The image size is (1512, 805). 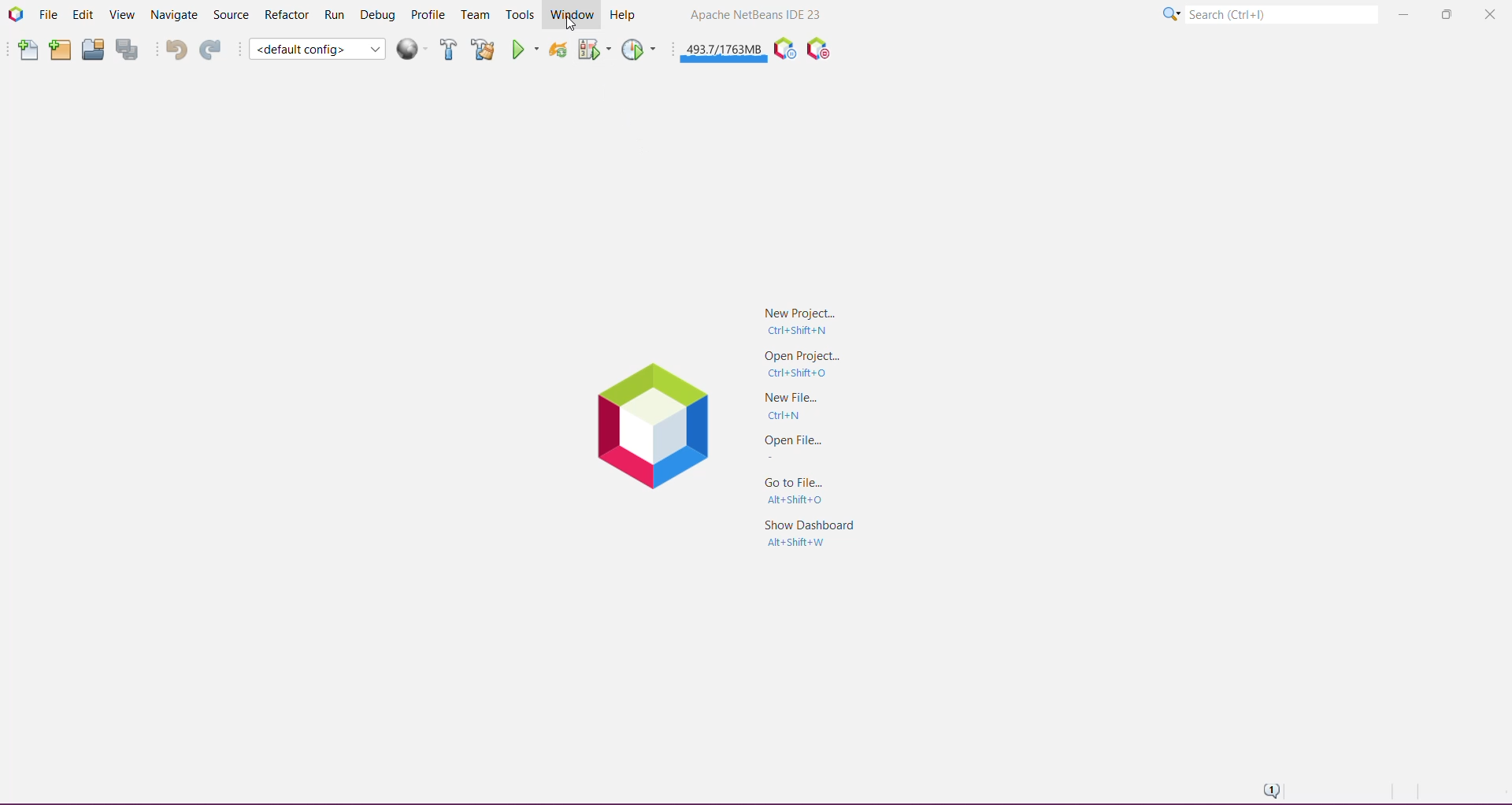 What do you see at coordinates (120, 16) in the screenshot?
I see `View` at bounding box center [120, 16].